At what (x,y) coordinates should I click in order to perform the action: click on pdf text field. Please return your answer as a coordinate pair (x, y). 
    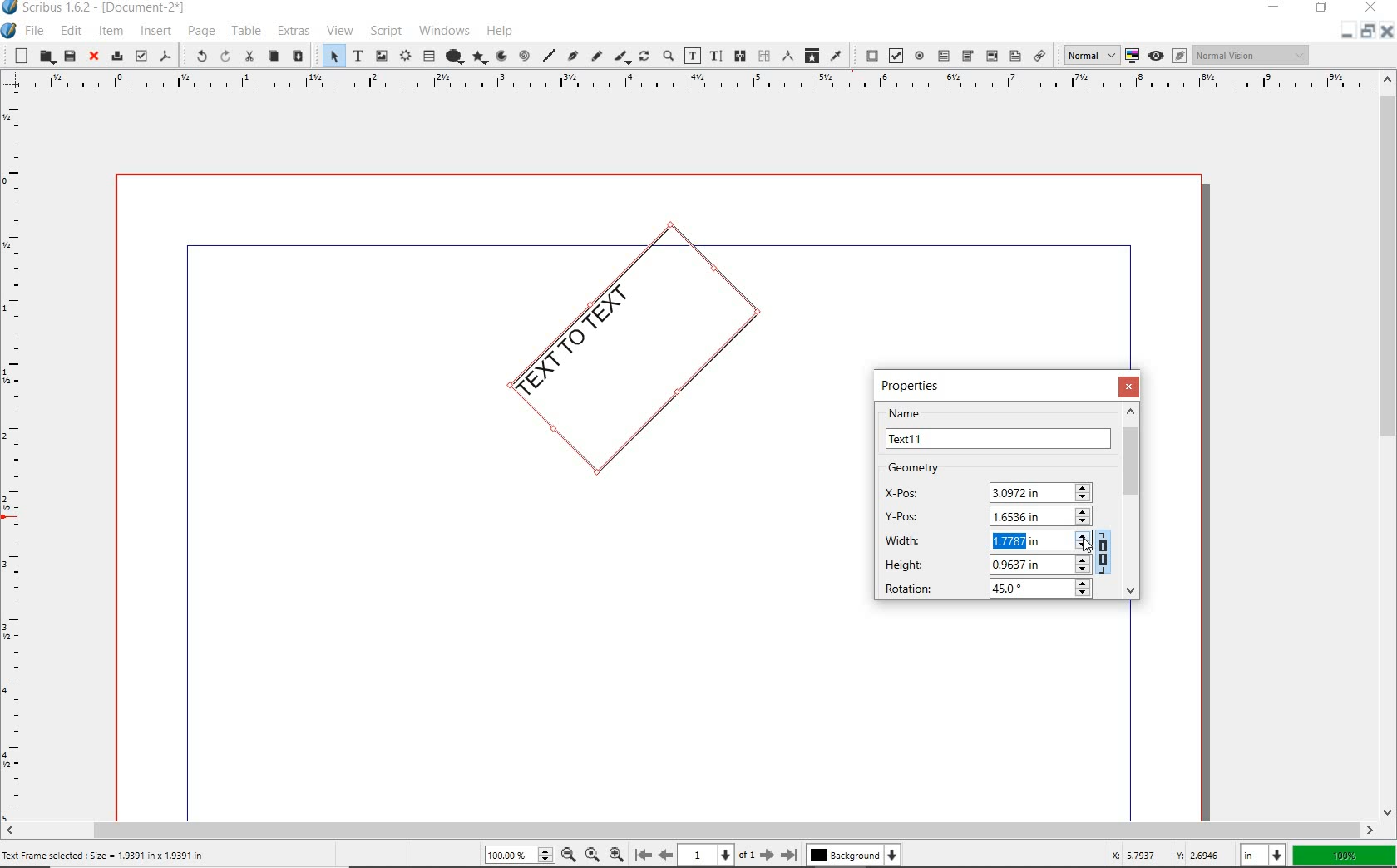
    Looking at the image, I should click on (944, 55).